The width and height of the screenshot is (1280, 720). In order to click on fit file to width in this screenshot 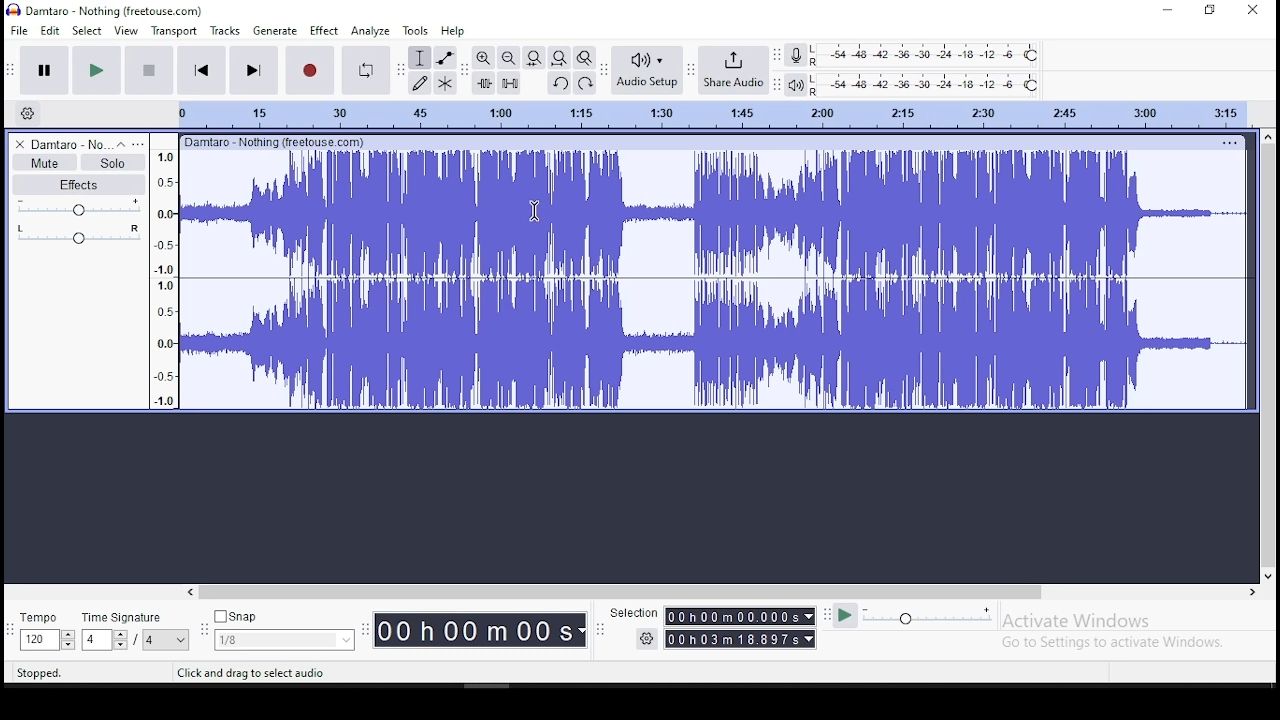, I will do `click(534, 57)`.